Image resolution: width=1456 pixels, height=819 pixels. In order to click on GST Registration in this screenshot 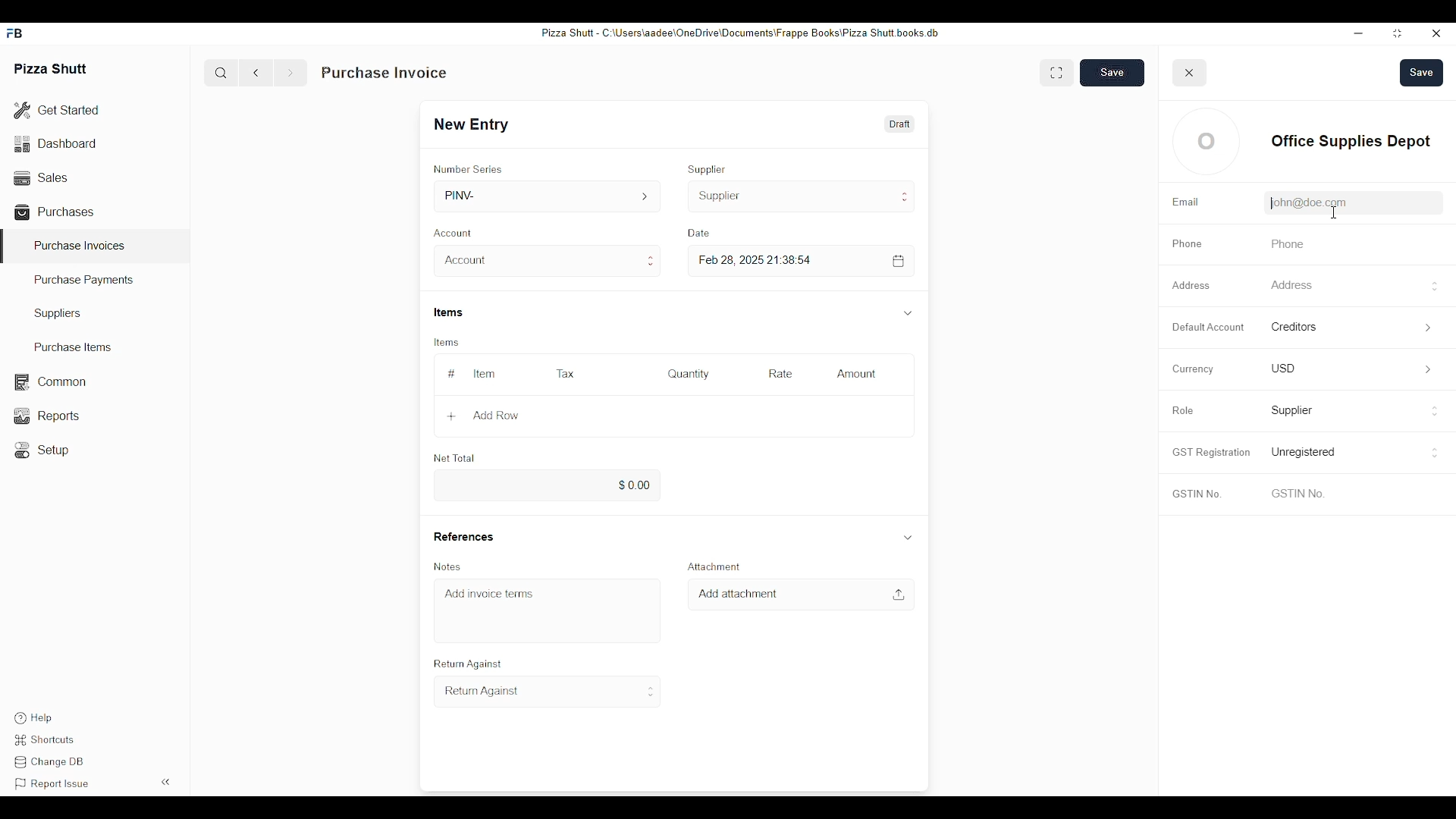, I will do `click(1210, 452)`.